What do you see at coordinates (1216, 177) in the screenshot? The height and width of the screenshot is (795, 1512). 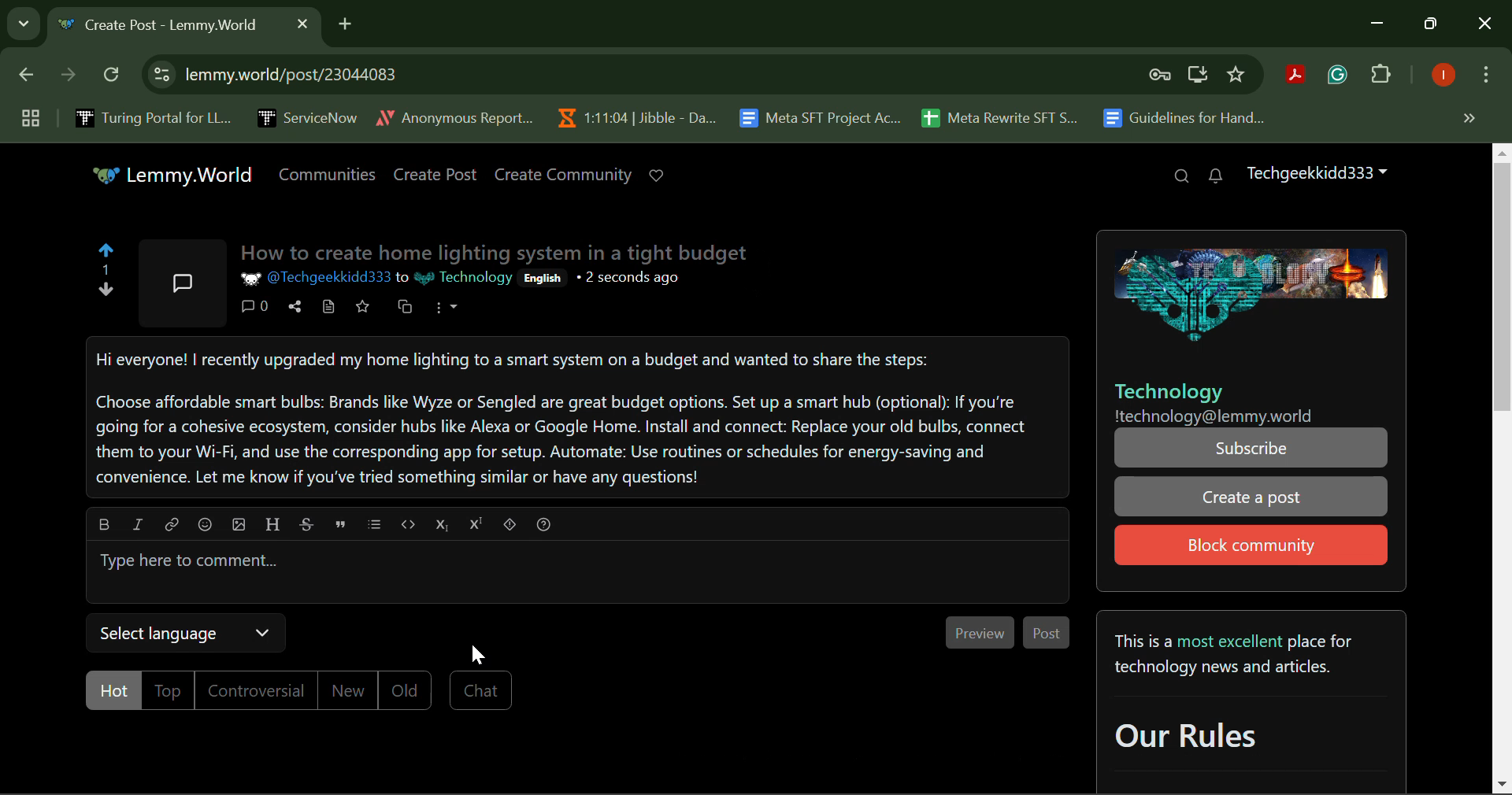 I see `Notifications` at bounding box center [1216, 177].